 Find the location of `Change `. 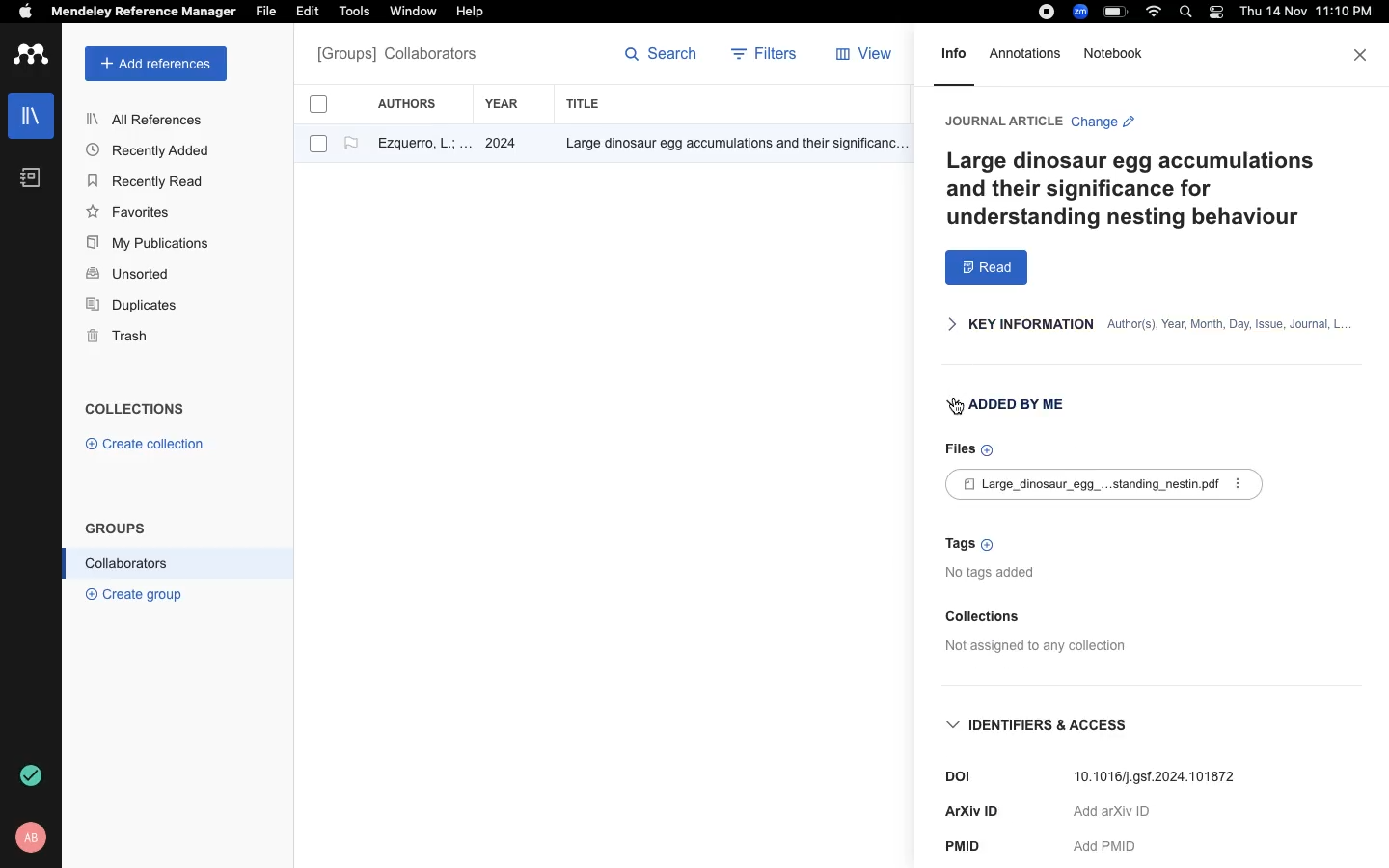

Change  is located at coordinates (1103, 124).